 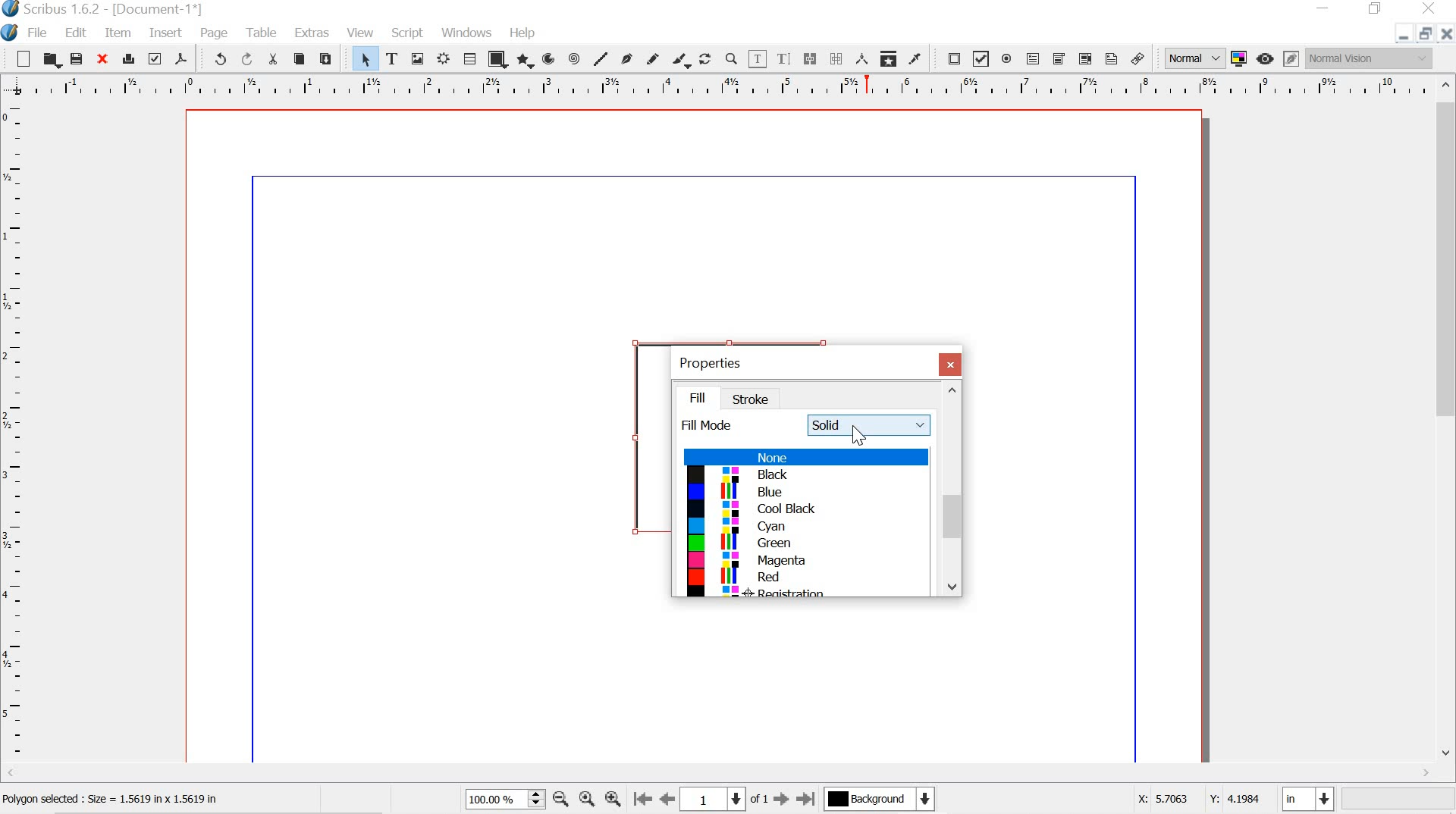 What do you see at coordinates (1376, 9) in the screenshot?
I see `restore down` at bounding box center [1376, 9].